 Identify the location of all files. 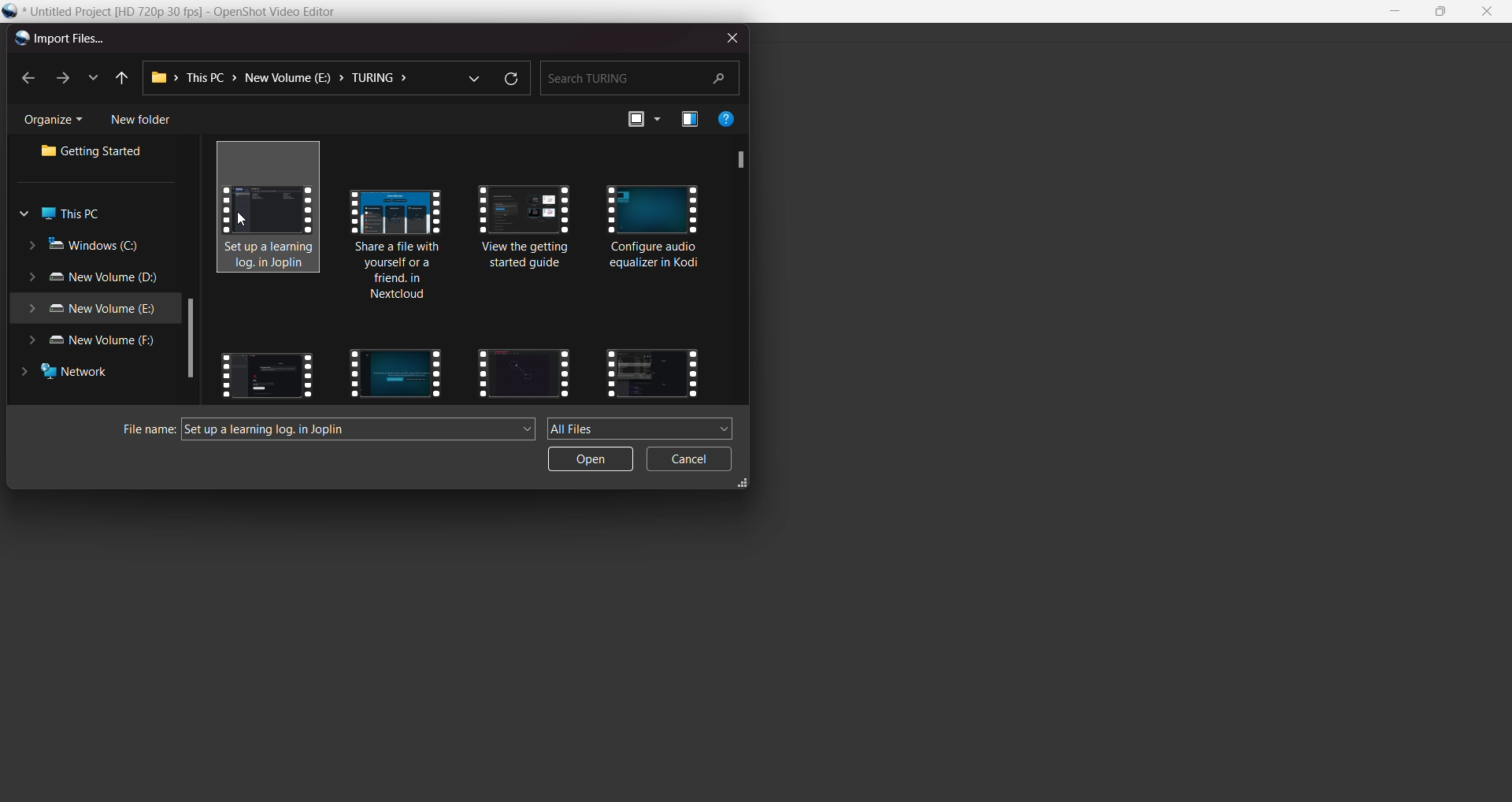
(641, 428).